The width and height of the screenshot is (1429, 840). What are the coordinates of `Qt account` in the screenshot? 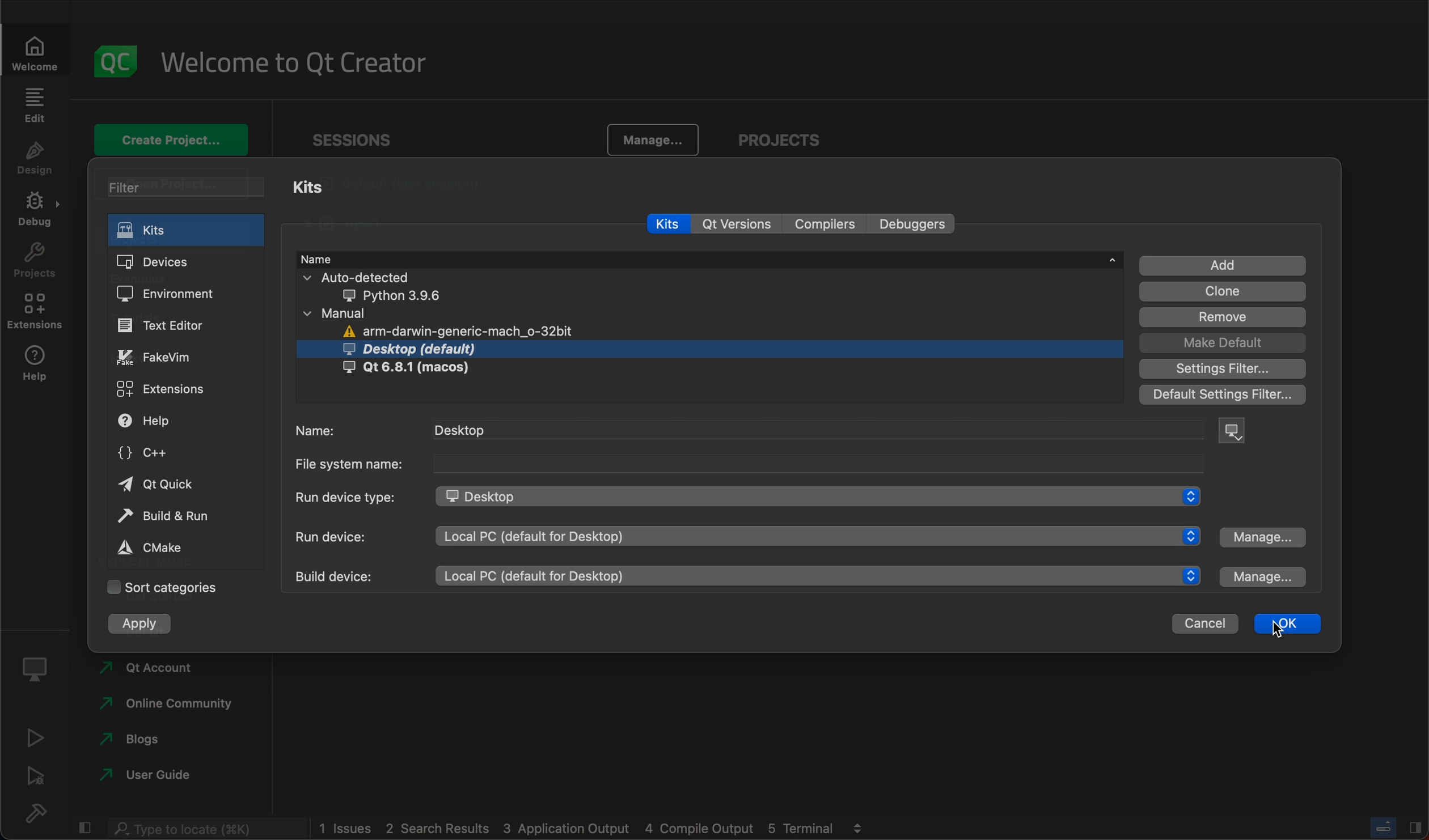 It's located at (158, 672).